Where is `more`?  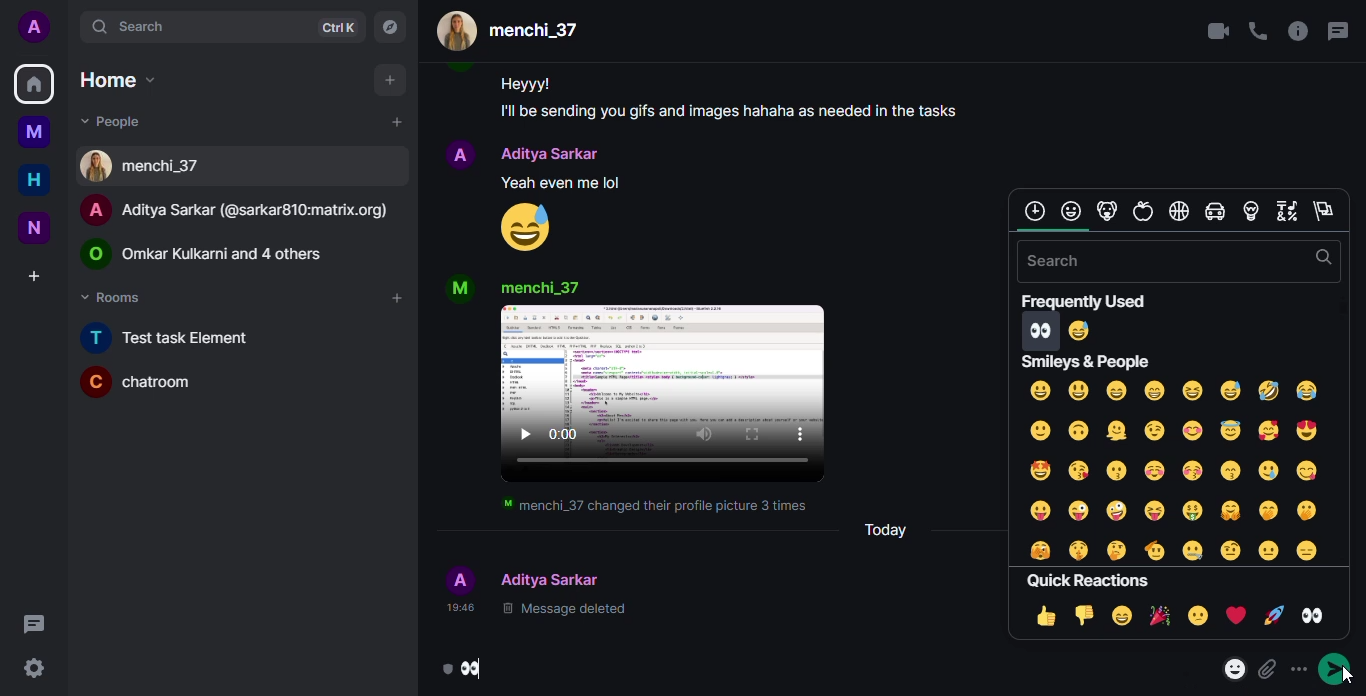
more is located at coordinates (1298, 670).